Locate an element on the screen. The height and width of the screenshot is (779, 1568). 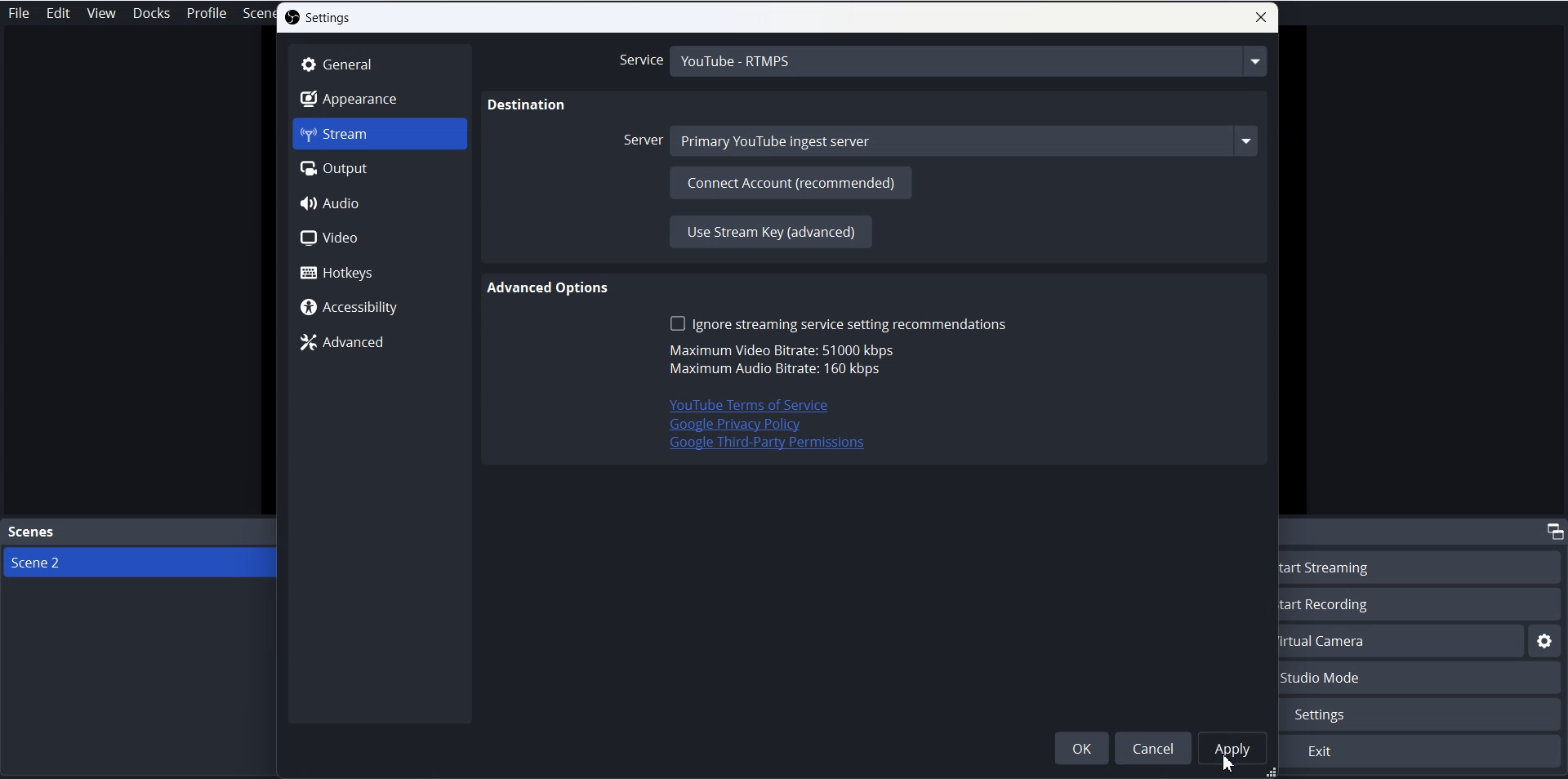
Cancel is located at coordinates (1151, 747).